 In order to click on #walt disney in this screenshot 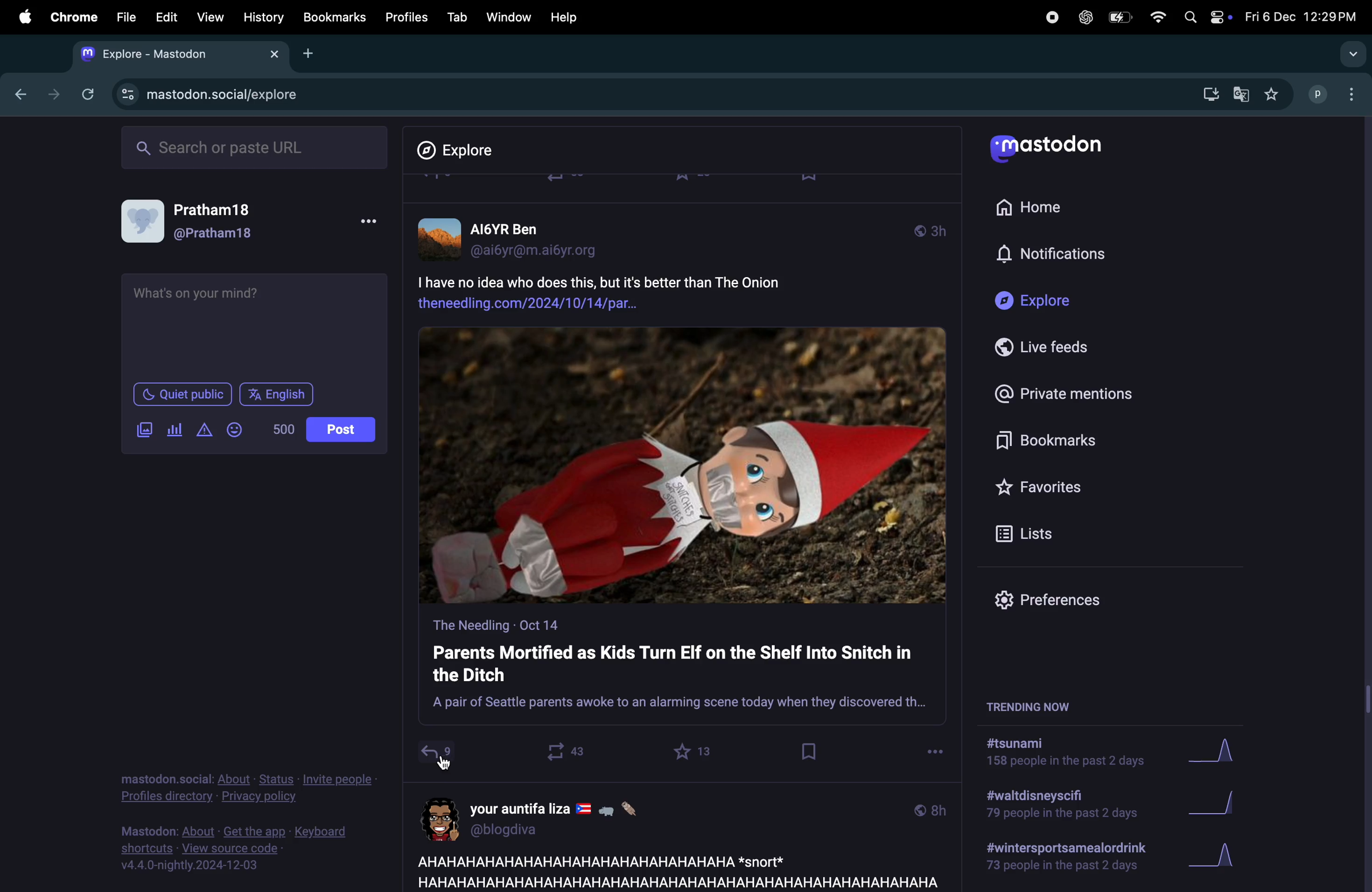, I will do `click(1058, 808)`.